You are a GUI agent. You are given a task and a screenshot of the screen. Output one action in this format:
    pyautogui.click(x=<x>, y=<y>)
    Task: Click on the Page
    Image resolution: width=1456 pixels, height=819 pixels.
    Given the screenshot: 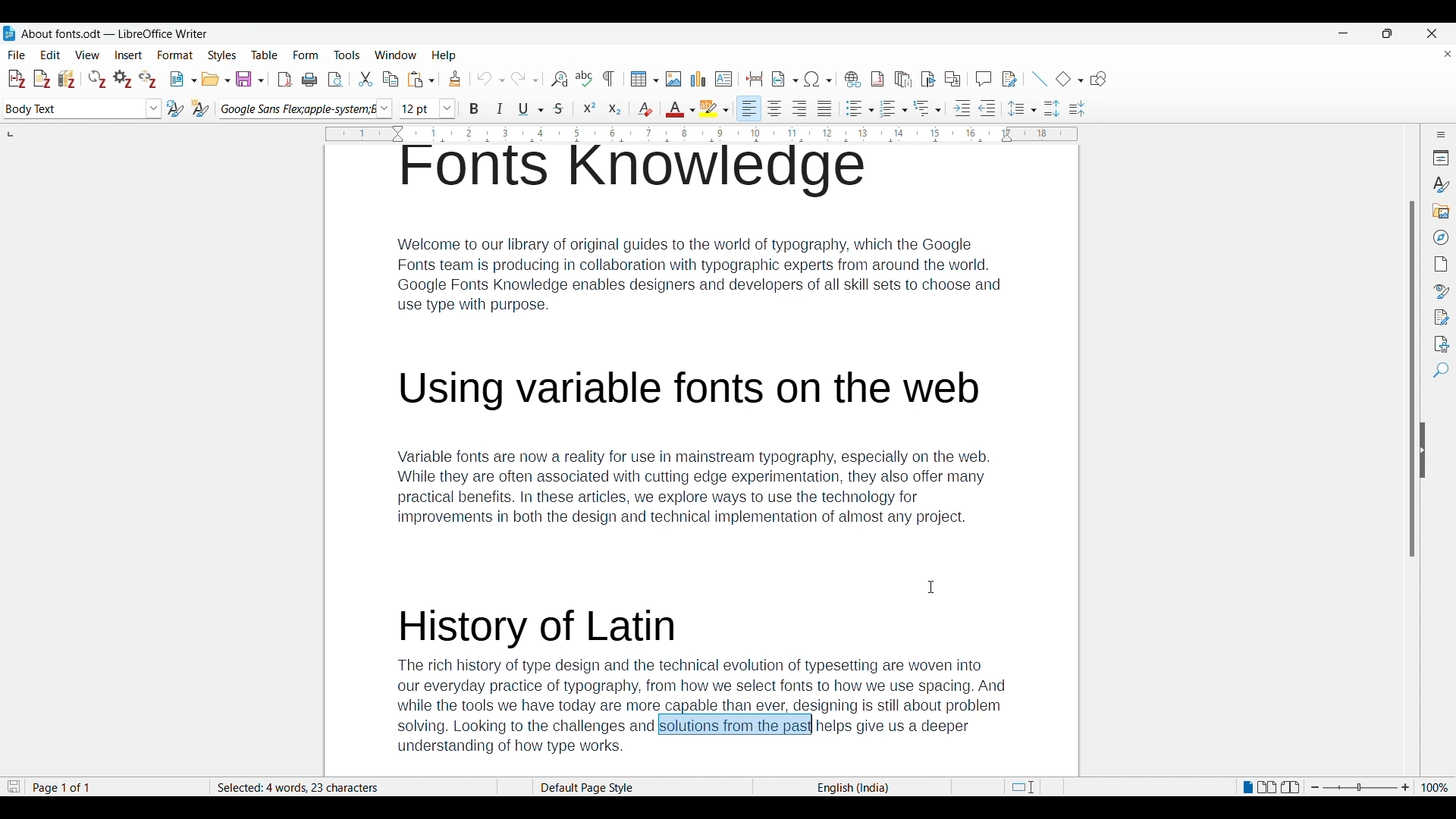 What is the action you would take?
    pyautogui.click(x=1440, y=264)
    